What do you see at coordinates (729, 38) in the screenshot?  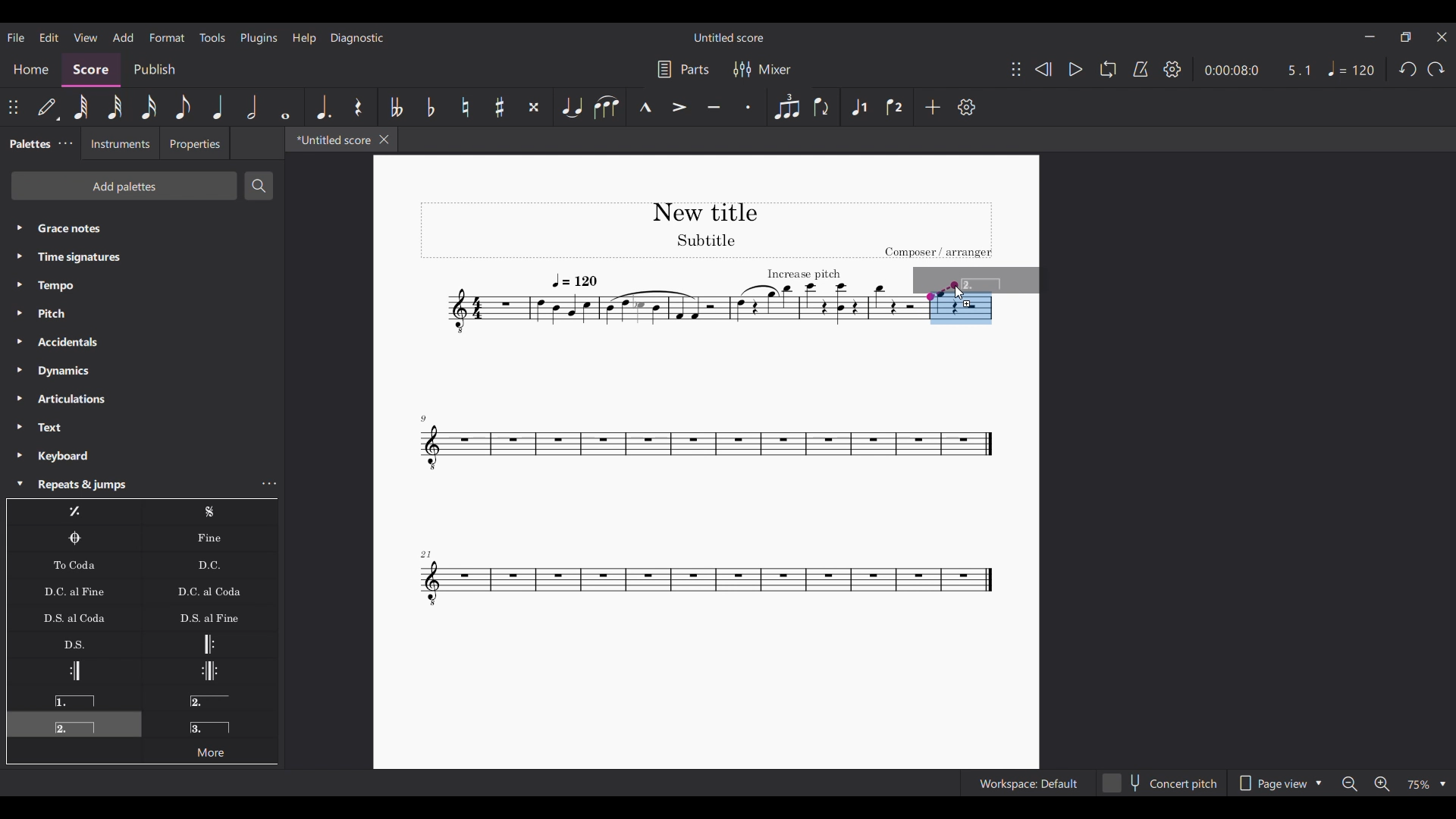 I see `Untitled score` at bounding box center [729, 38].